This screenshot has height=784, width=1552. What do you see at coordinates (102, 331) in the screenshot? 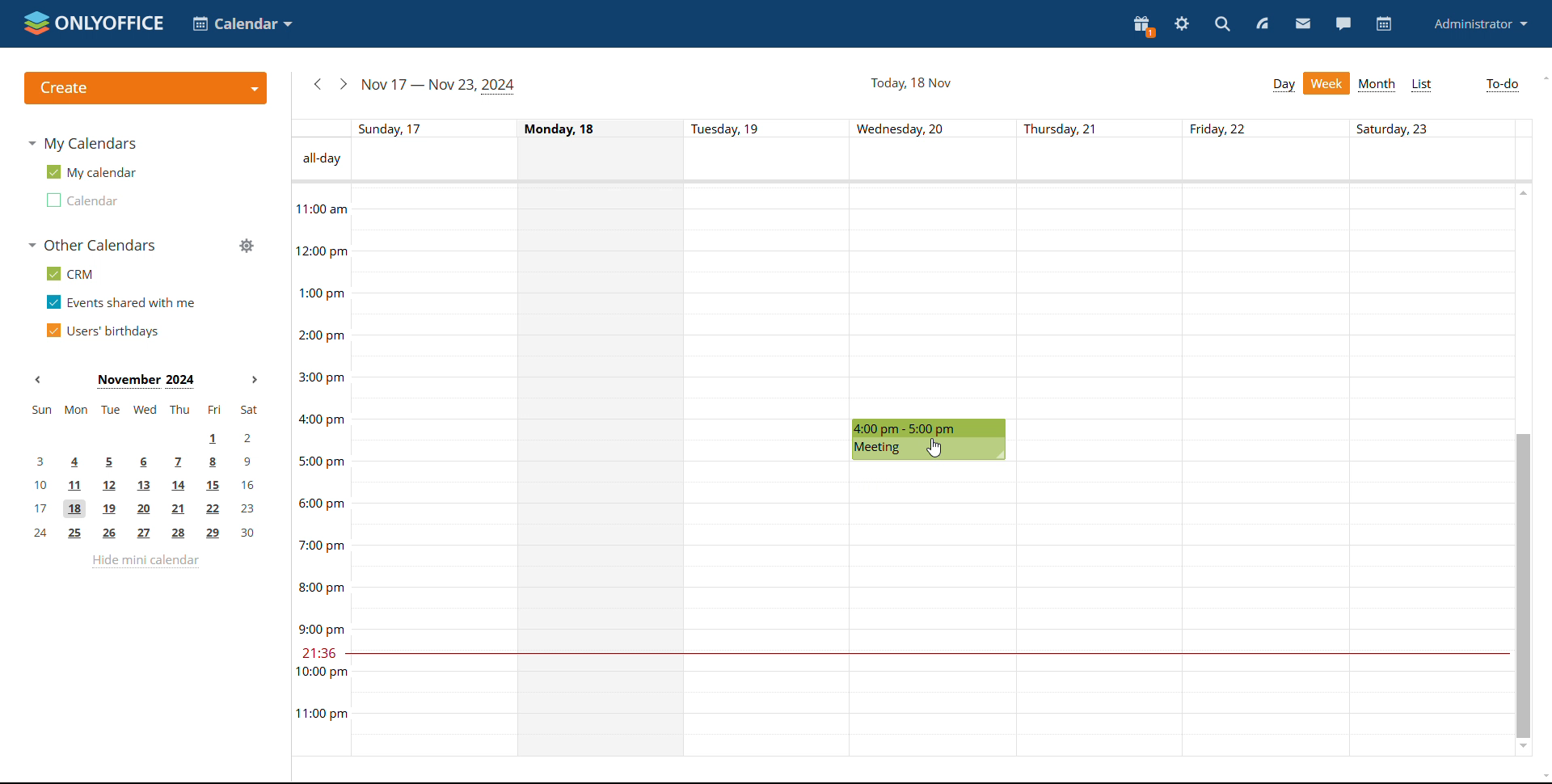
I see `users' birthdays ` at bounding box center [102, 331].